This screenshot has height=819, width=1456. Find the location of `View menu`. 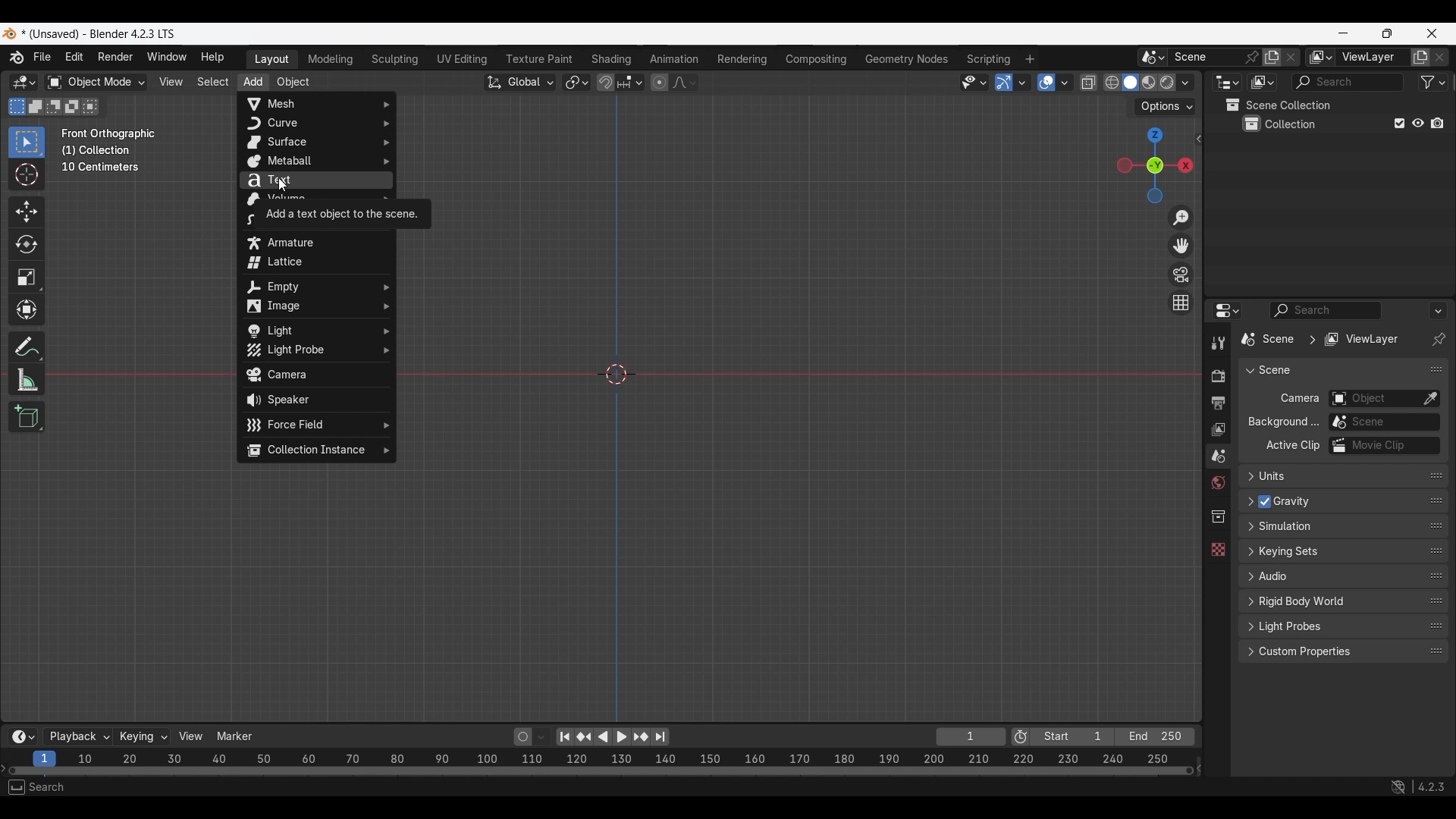

View menu is located at coordinates (170, 82).